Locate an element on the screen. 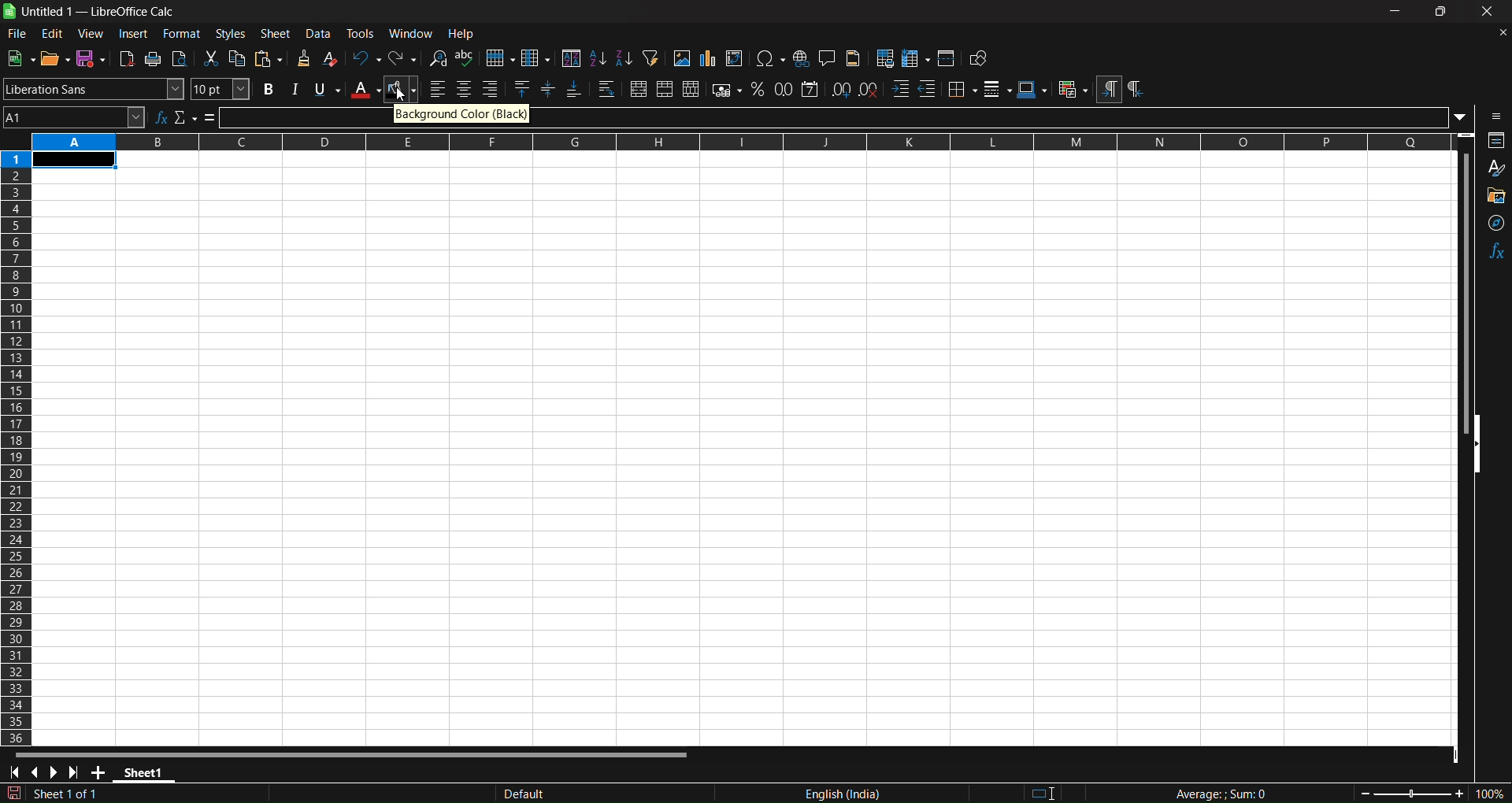 The width and height of the screenshot is (1512, 803). Text language is located at coordinates (863, 790).